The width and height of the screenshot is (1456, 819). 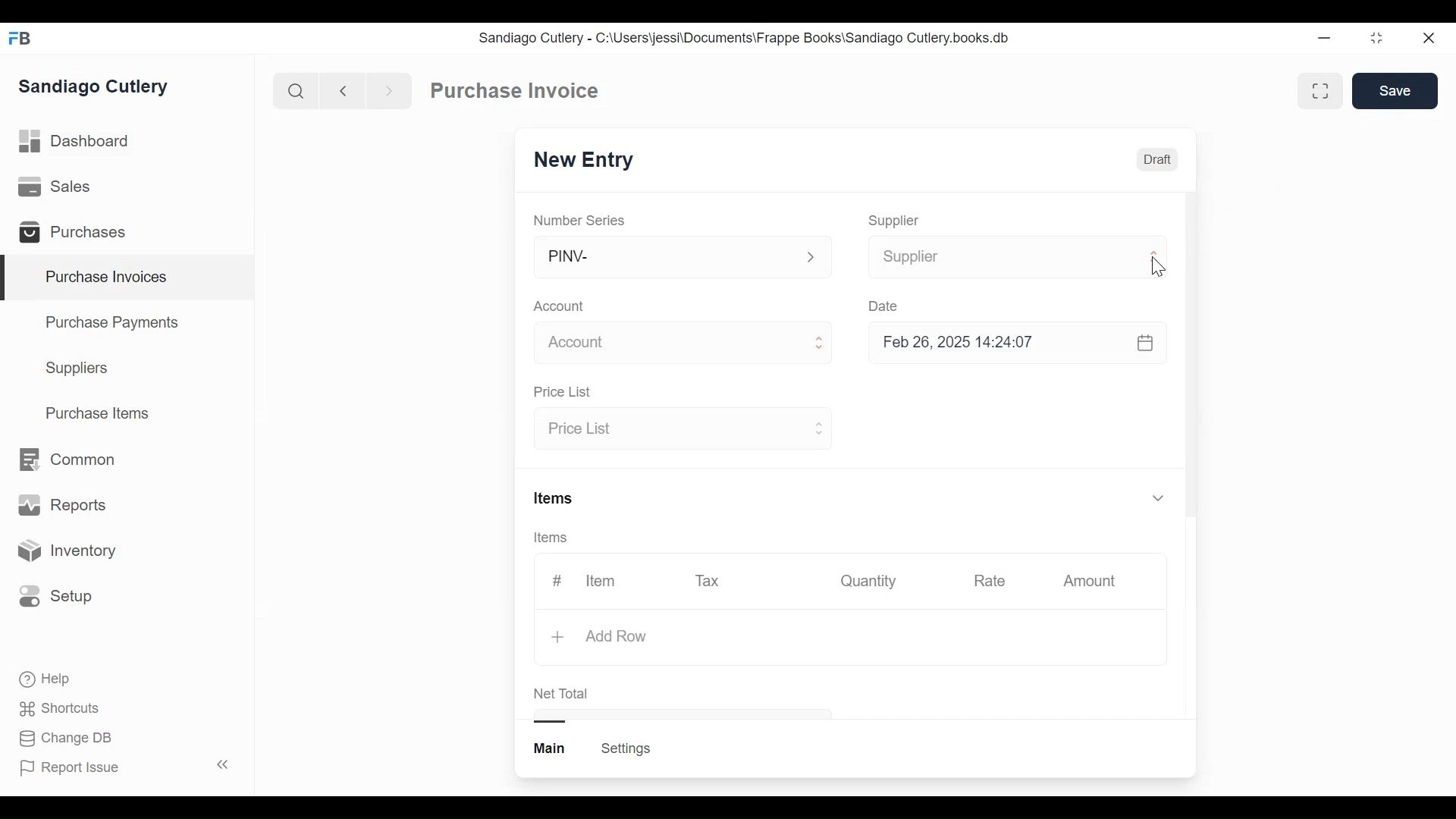 I want to click on Feb 26, 2025 14:24:07, so click(x=1009, y=343).